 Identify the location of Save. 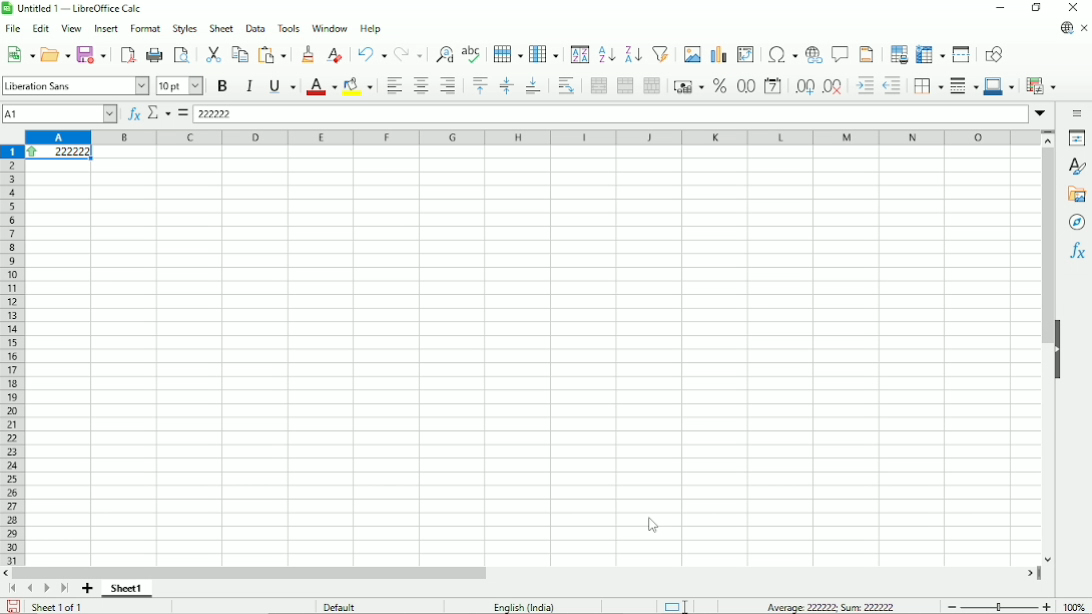
(13, 607).